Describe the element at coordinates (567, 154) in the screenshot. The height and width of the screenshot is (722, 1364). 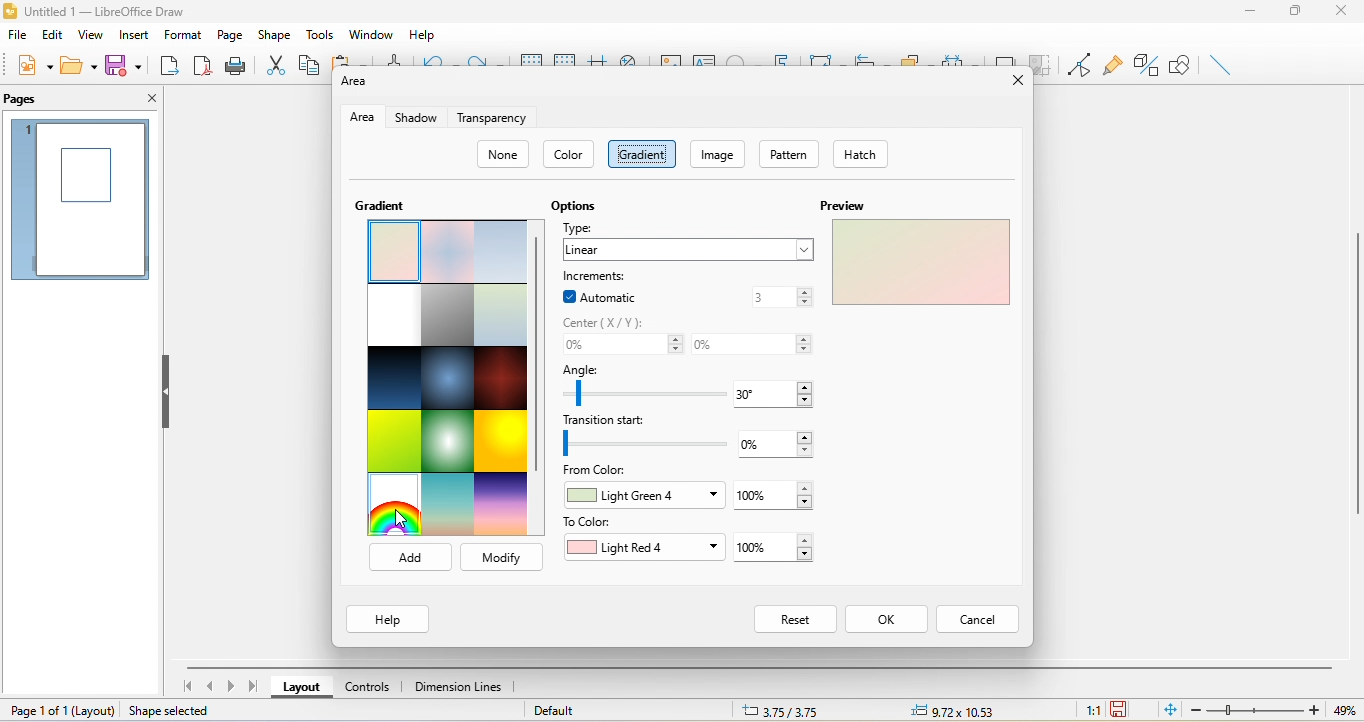
I see `color` at that location.